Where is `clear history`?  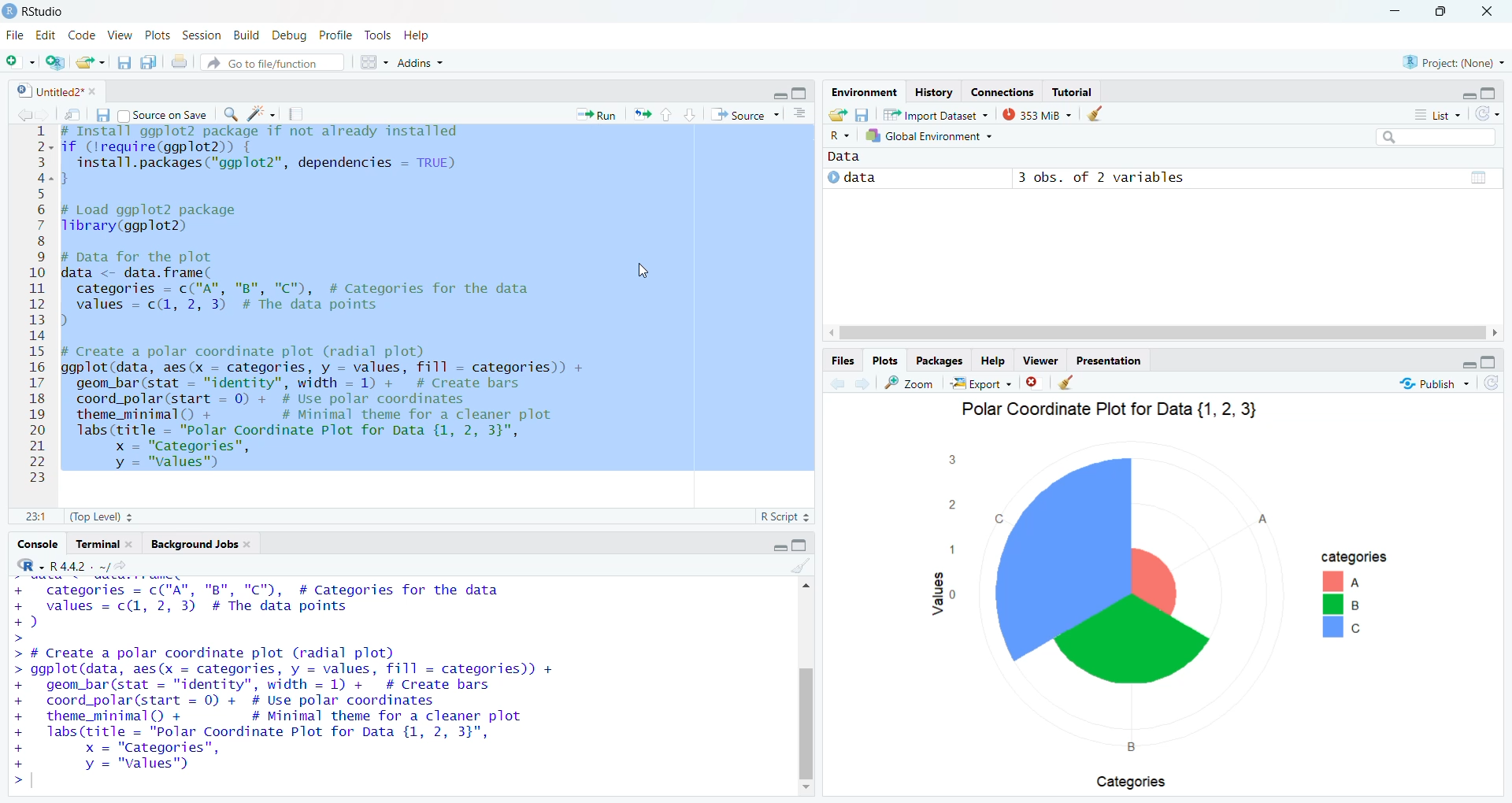
clear history is located at coordinates (1102, 114).